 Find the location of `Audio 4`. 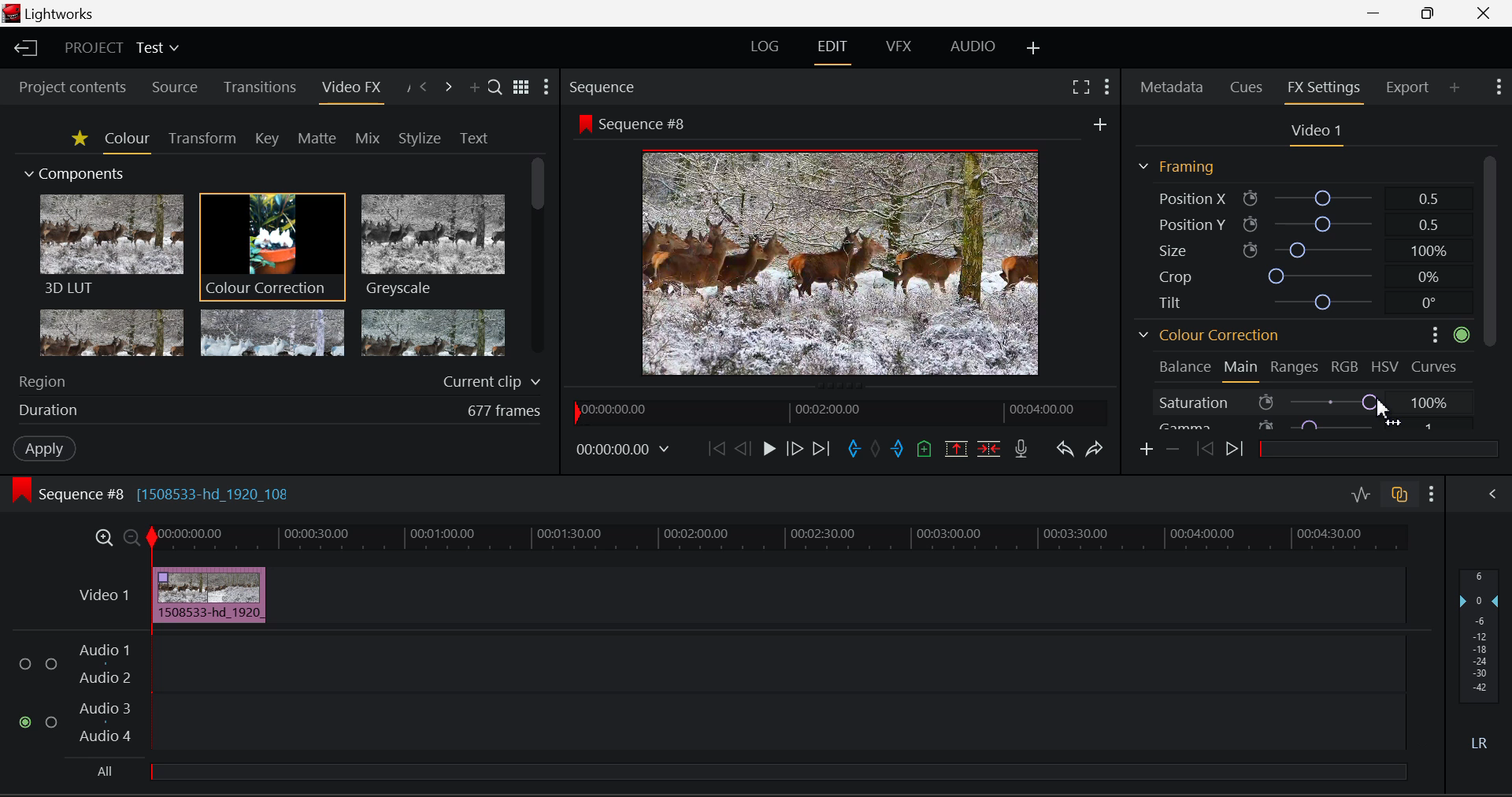

Audio 4 is located at coordinates (107, 739).